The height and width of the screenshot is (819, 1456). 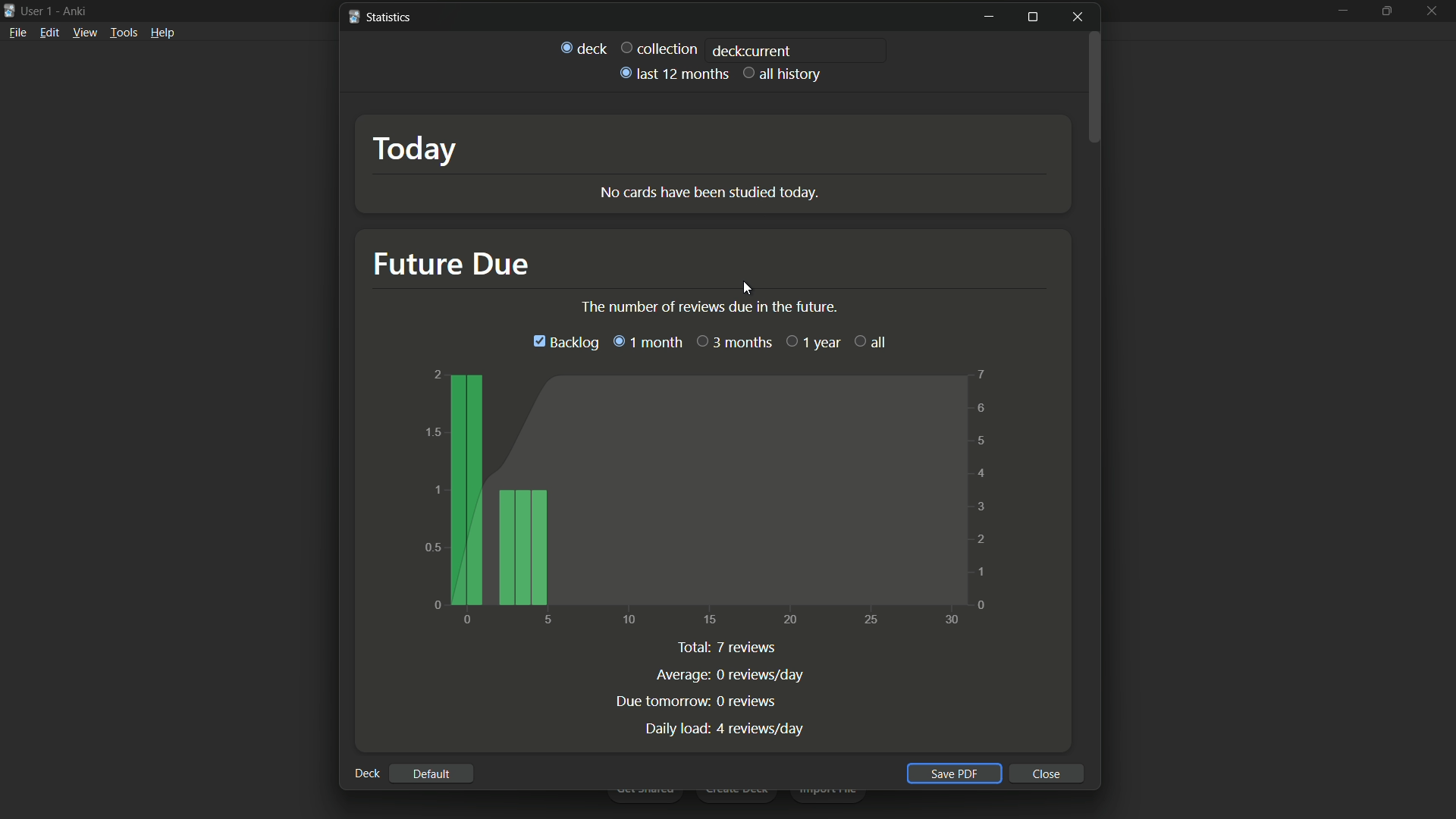 What do you see at coordinates (707, 48) in the screenshot?
I see `collection deck current` at bounding box center [707, 48].